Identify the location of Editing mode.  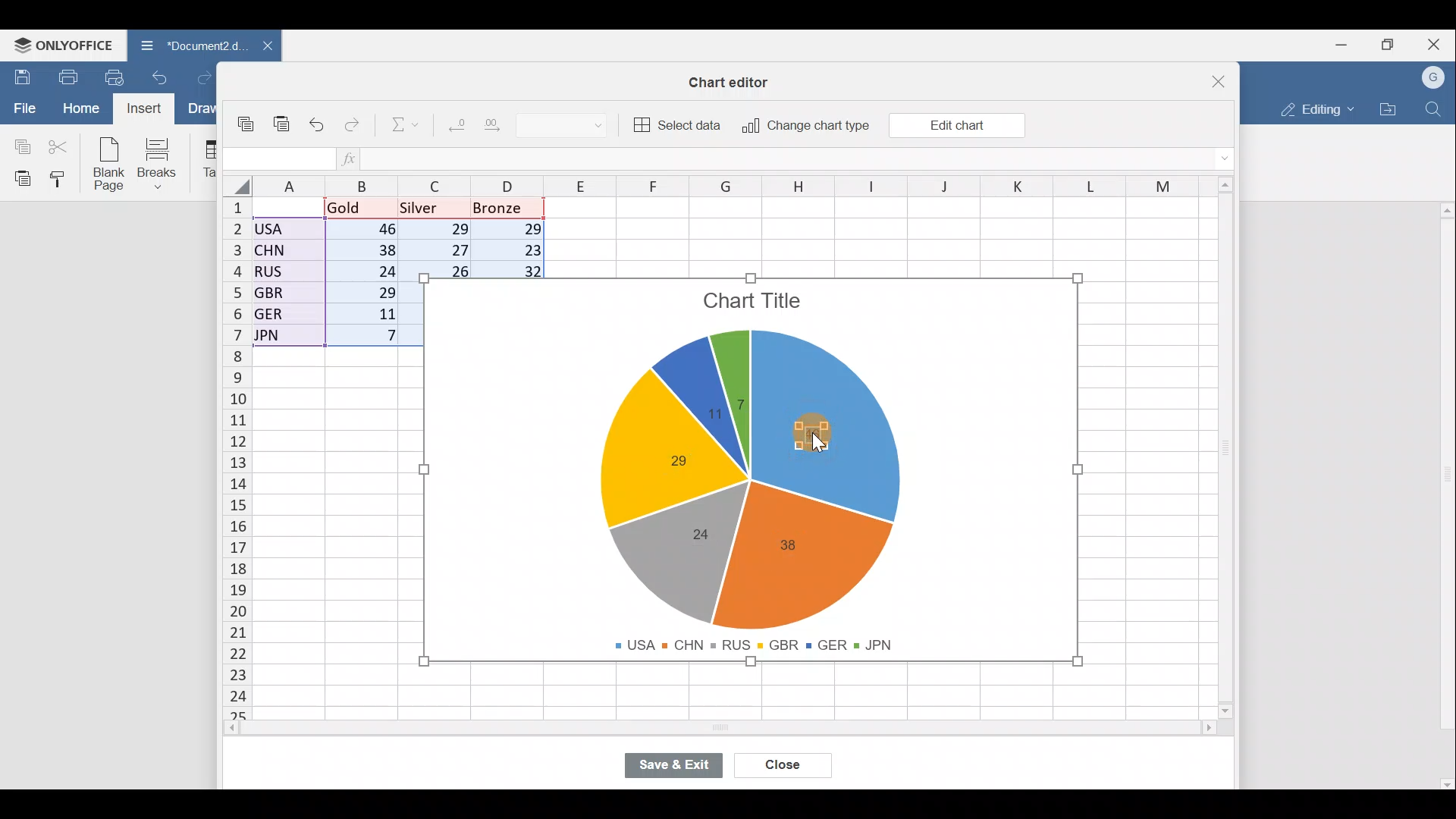
(1316, 106).